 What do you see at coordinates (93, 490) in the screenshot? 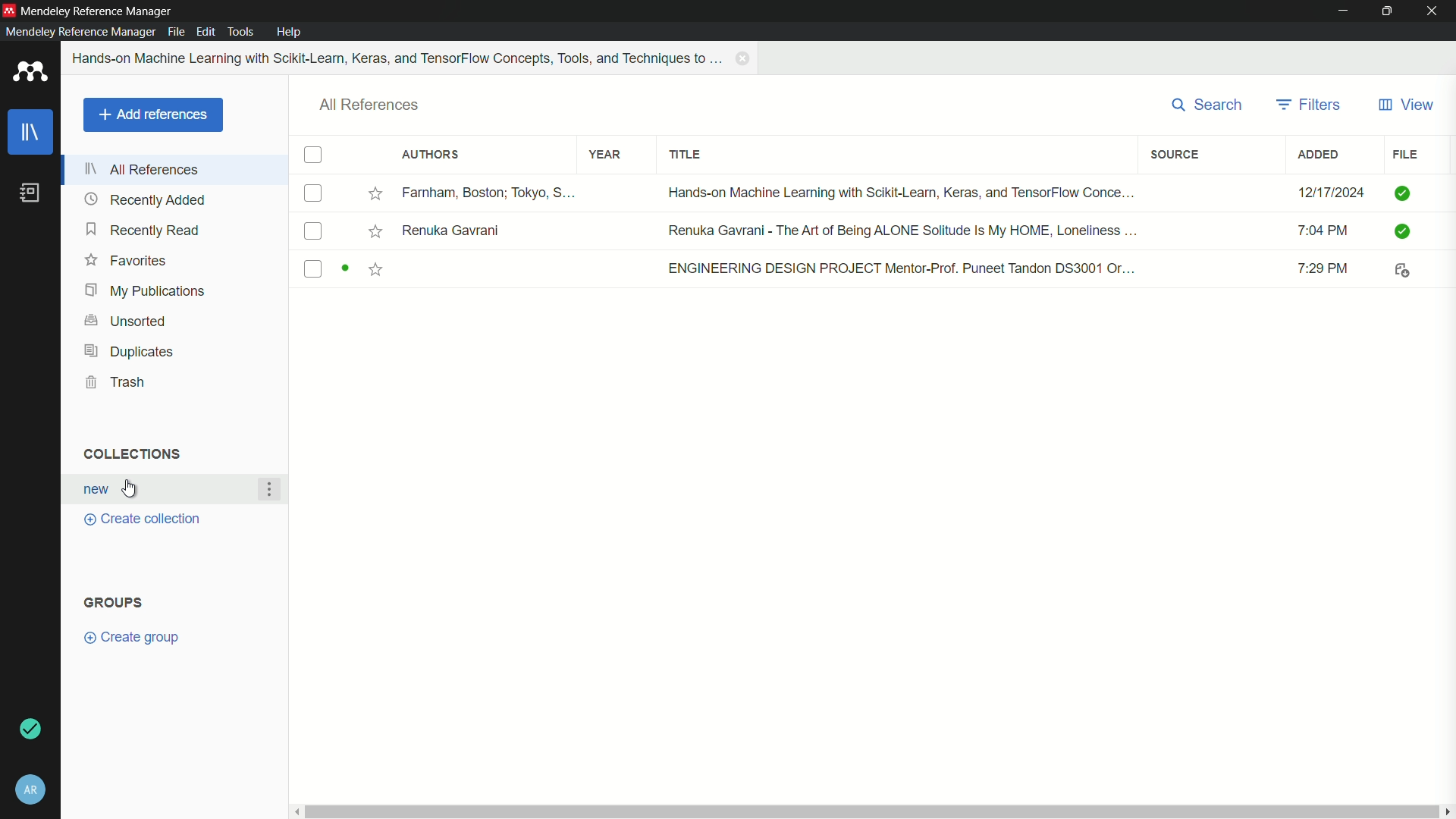
I see `collection name` at bounding box center [93, 490].